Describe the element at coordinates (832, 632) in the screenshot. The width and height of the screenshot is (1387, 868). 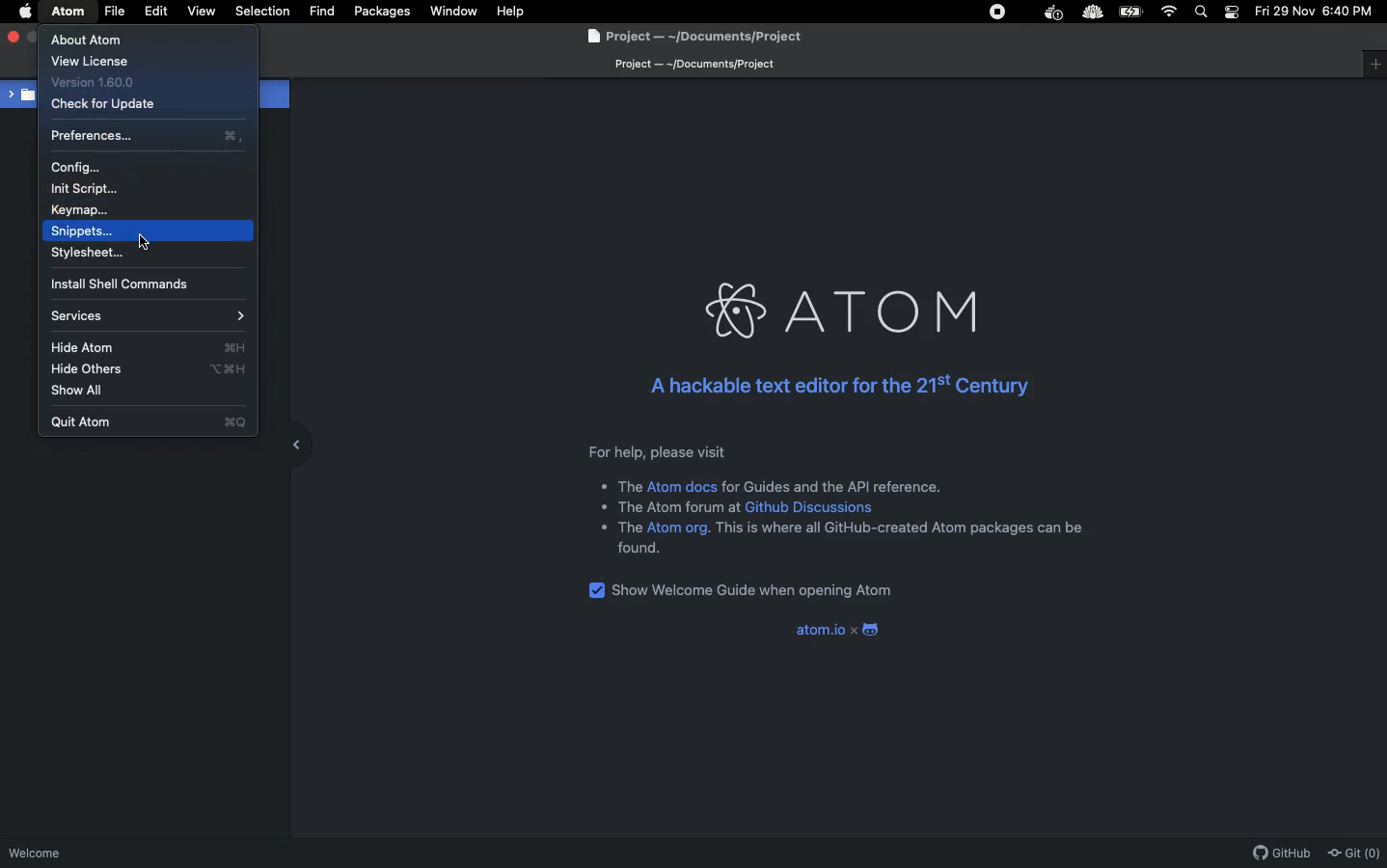
I see `atom.io x android ` at that location.